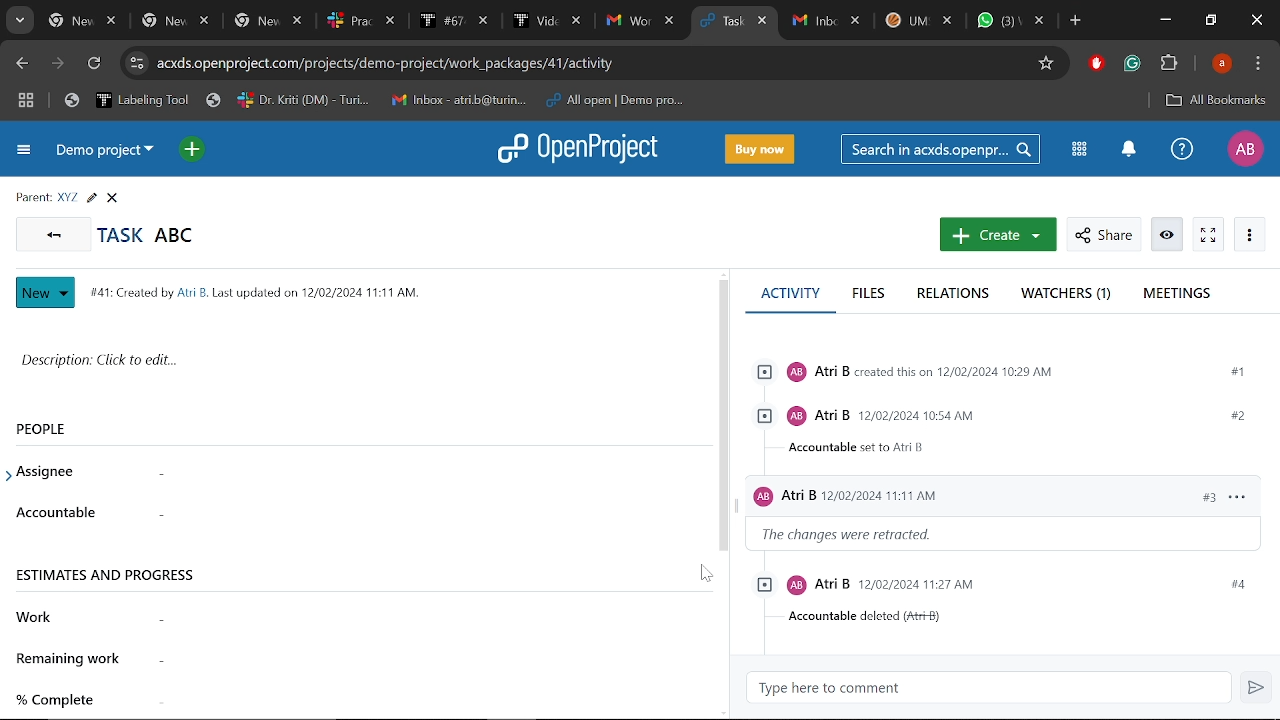 Image resolution: width=1280 pixels, height=720 pixels. What do you see at coordinates (1132, 65) in the screenshot?
I see `Grammarly` at bounding box center [1132, 65].